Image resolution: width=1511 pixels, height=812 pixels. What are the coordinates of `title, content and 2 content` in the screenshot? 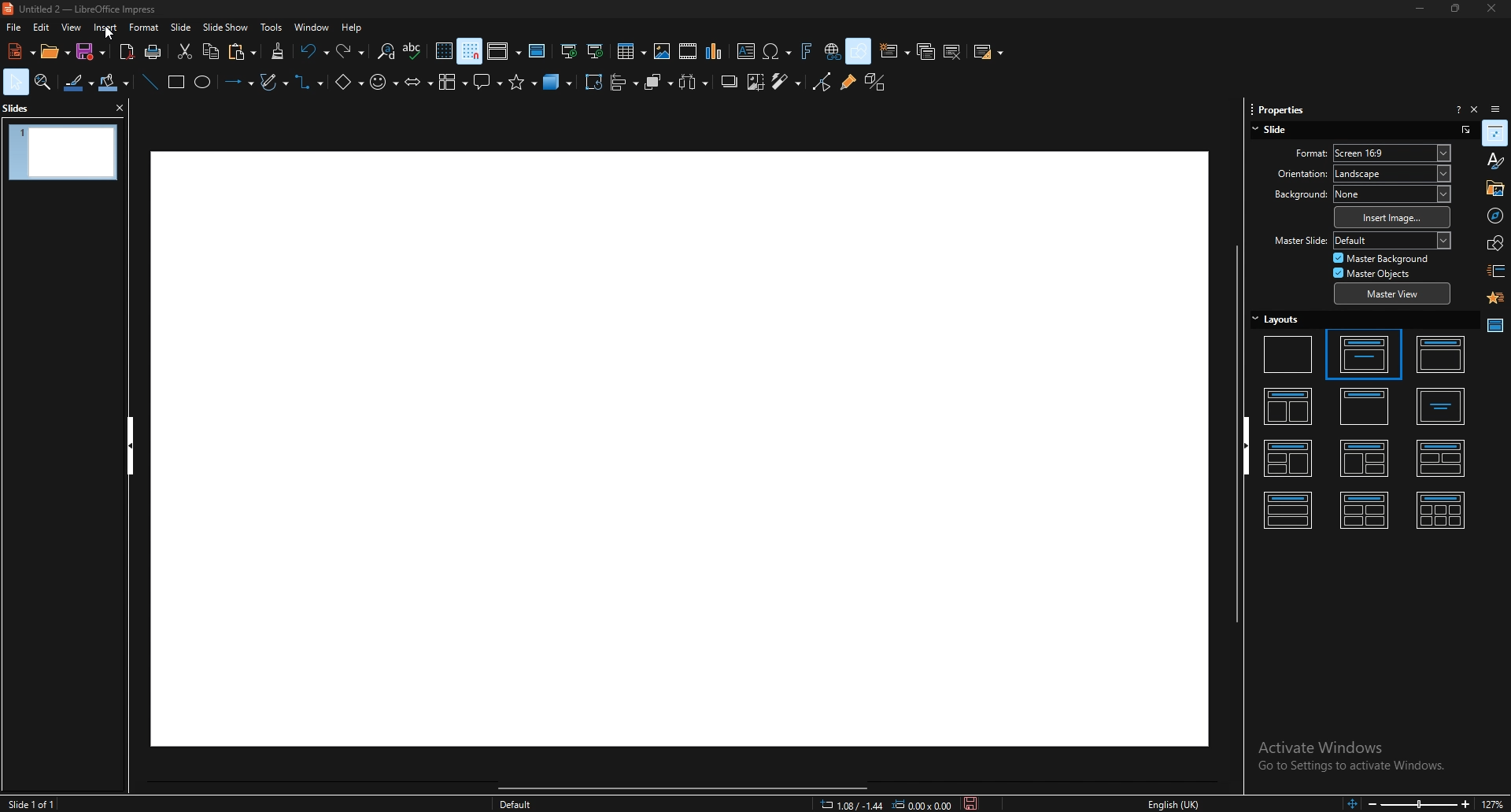 It's located at (1365, 458).